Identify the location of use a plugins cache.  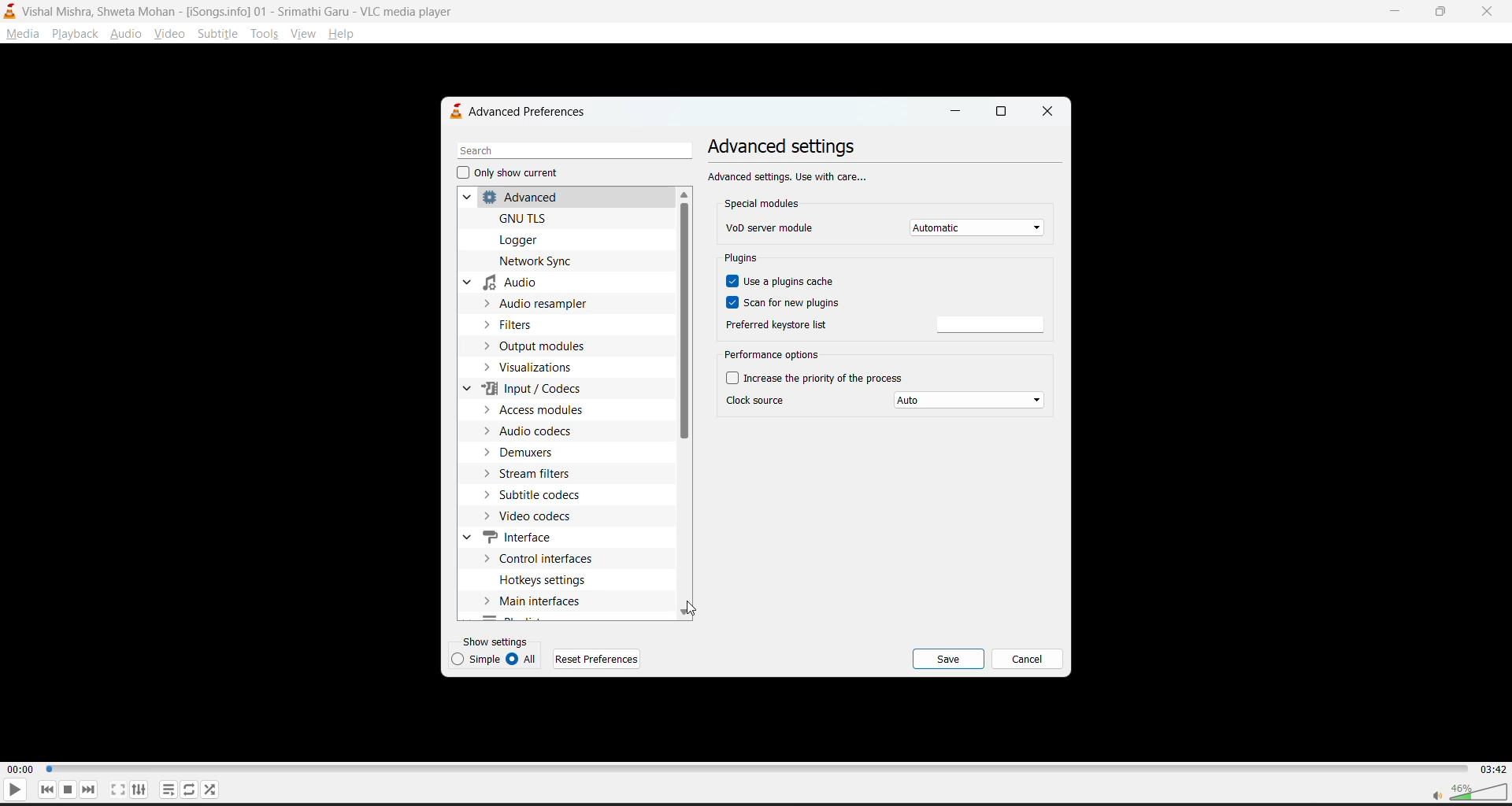
(782, 279).